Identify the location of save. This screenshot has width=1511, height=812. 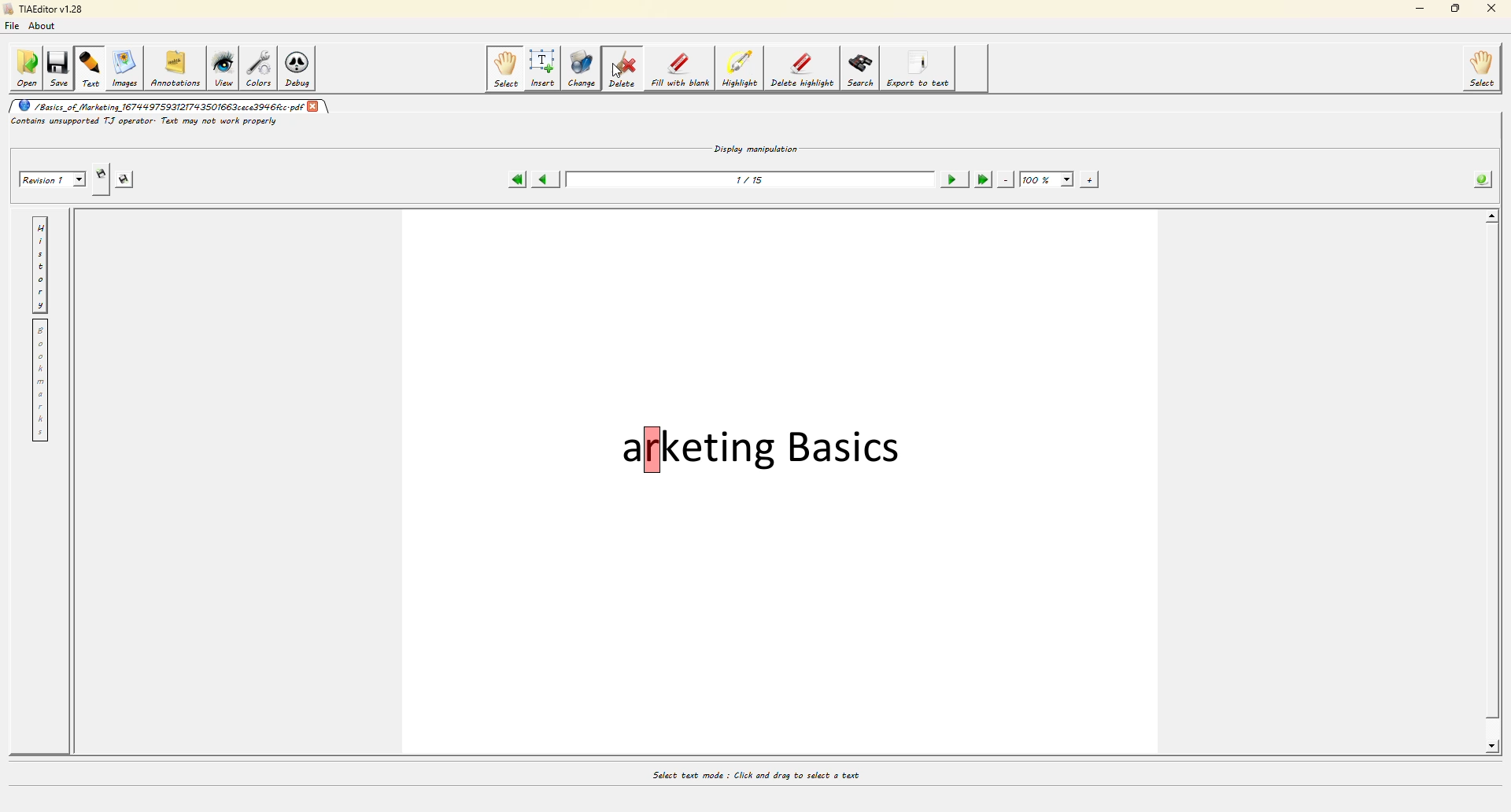
(60, 68).